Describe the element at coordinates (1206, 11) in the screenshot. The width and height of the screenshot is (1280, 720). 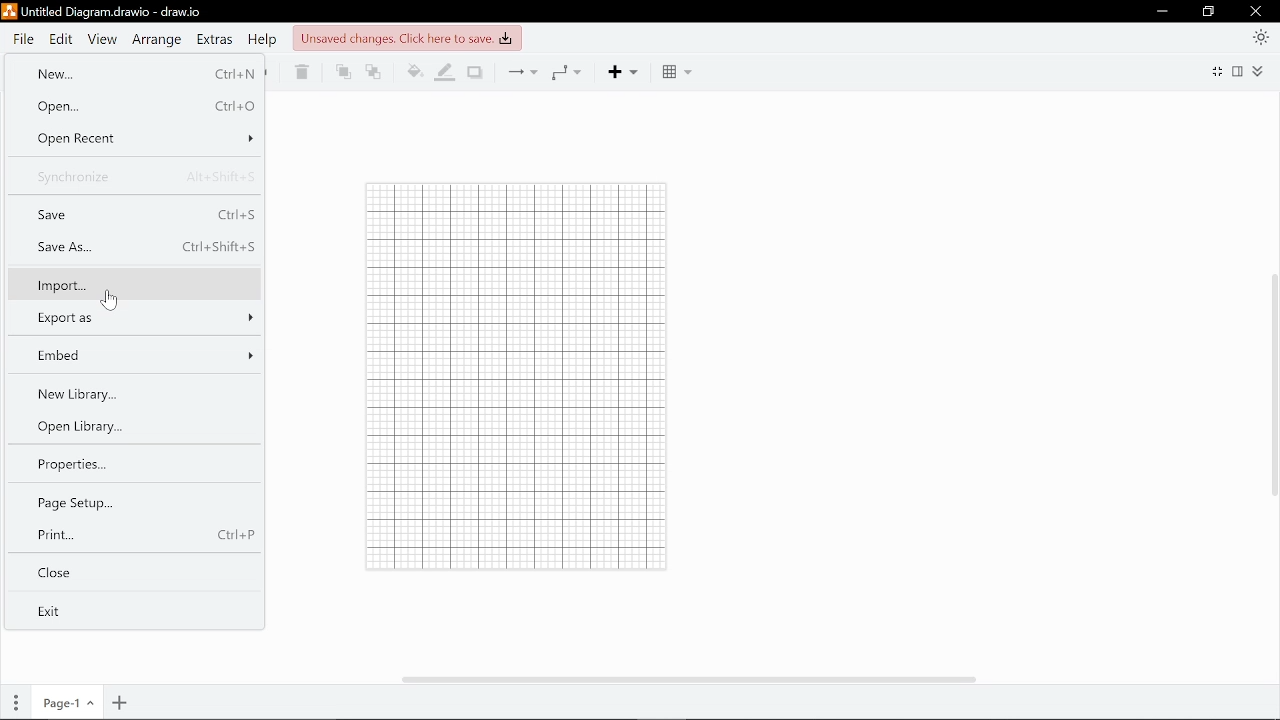
I see `Maximize` at that location.